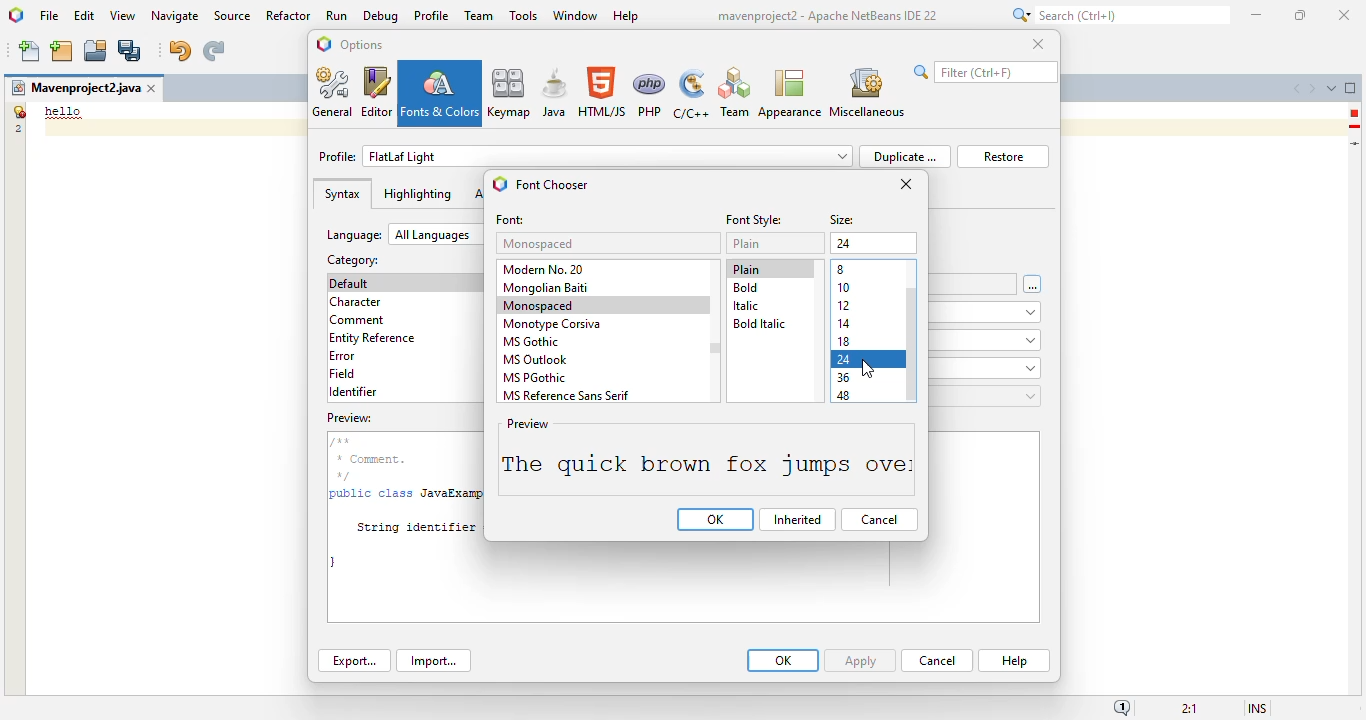 This screenshot has height=720, width=1366. I want to click on cursor, so click(871, 366).